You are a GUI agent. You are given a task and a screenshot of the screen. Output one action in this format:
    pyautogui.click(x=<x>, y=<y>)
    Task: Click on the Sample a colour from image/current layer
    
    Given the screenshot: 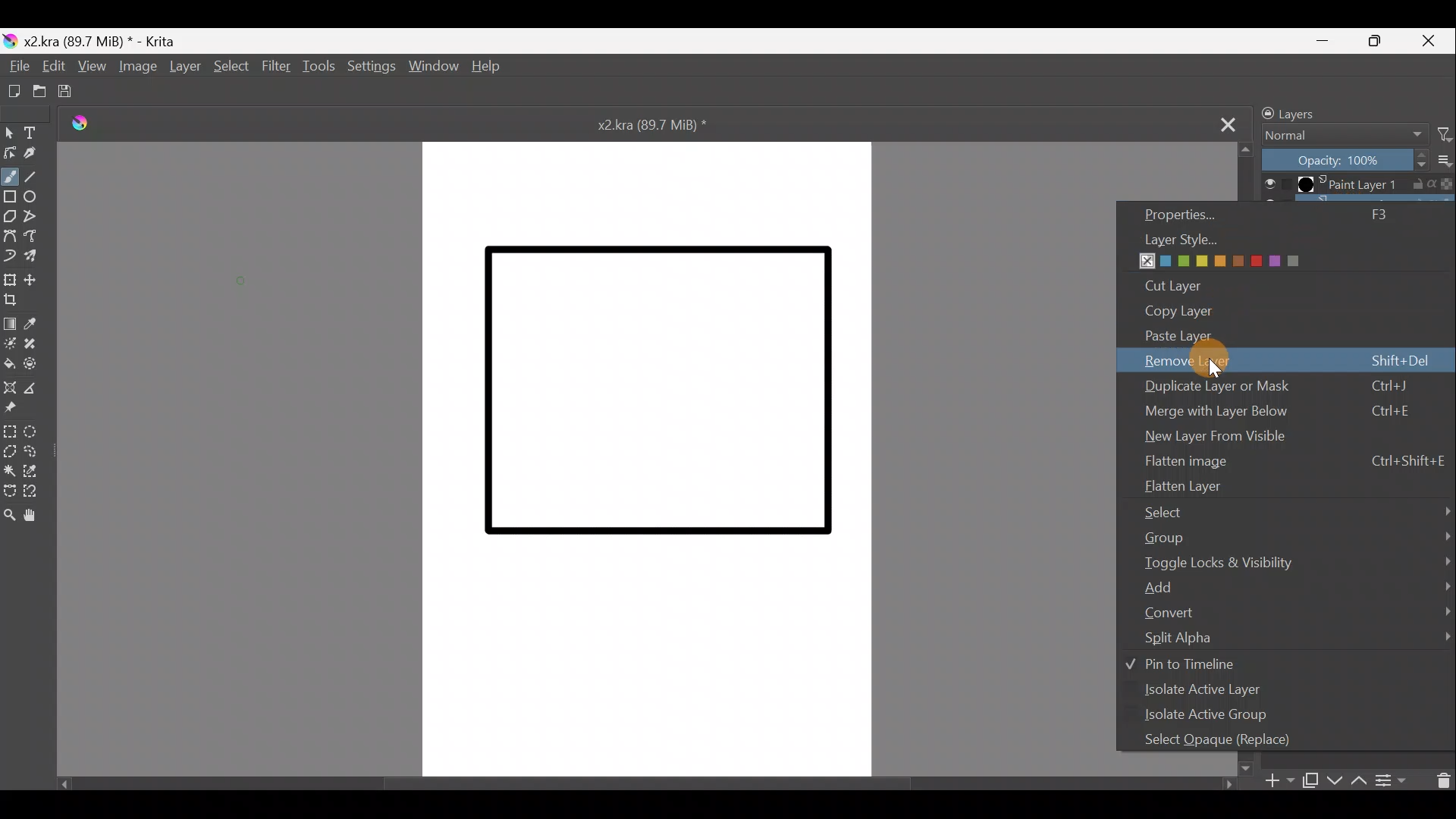 What is the action you would take?
    pyautogui.click(x=37, y=324)
    